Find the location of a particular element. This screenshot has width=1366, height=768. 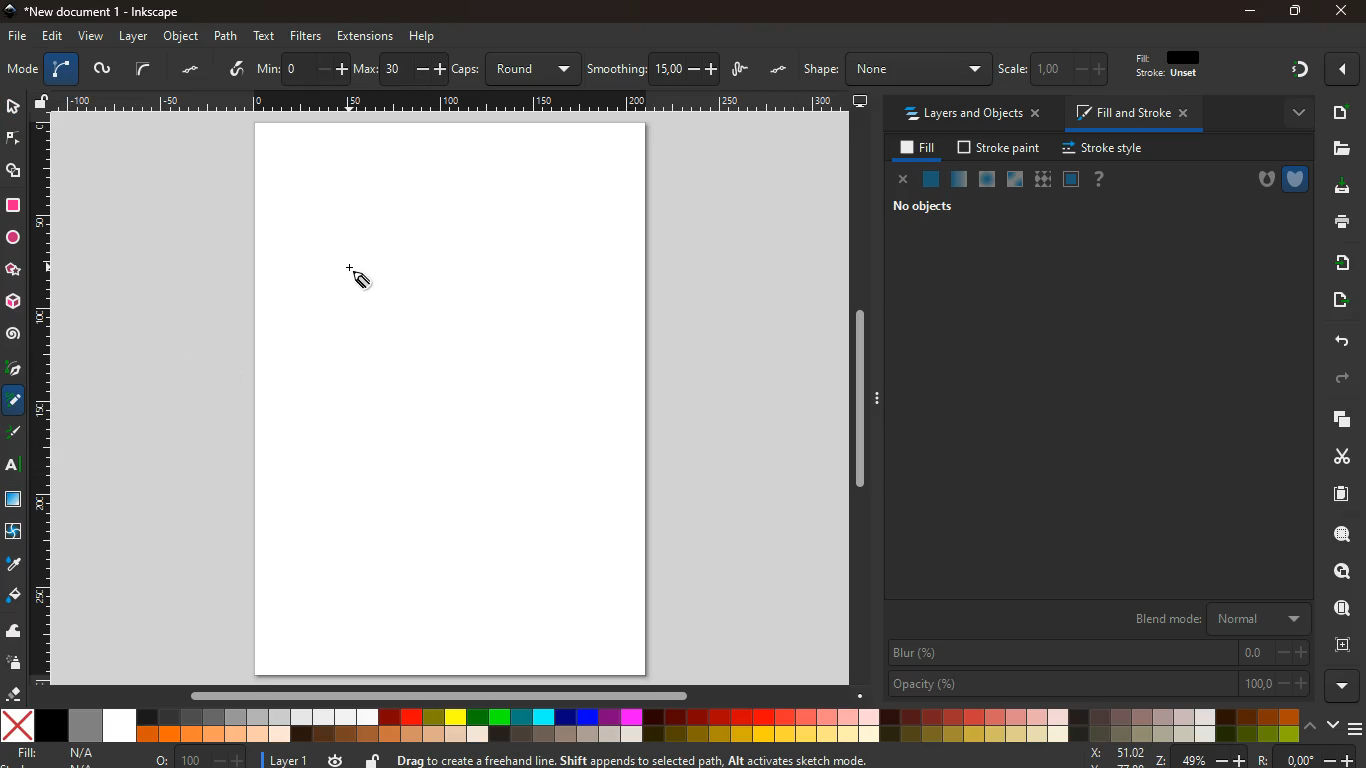

paint is located at coordinates (15, 597).